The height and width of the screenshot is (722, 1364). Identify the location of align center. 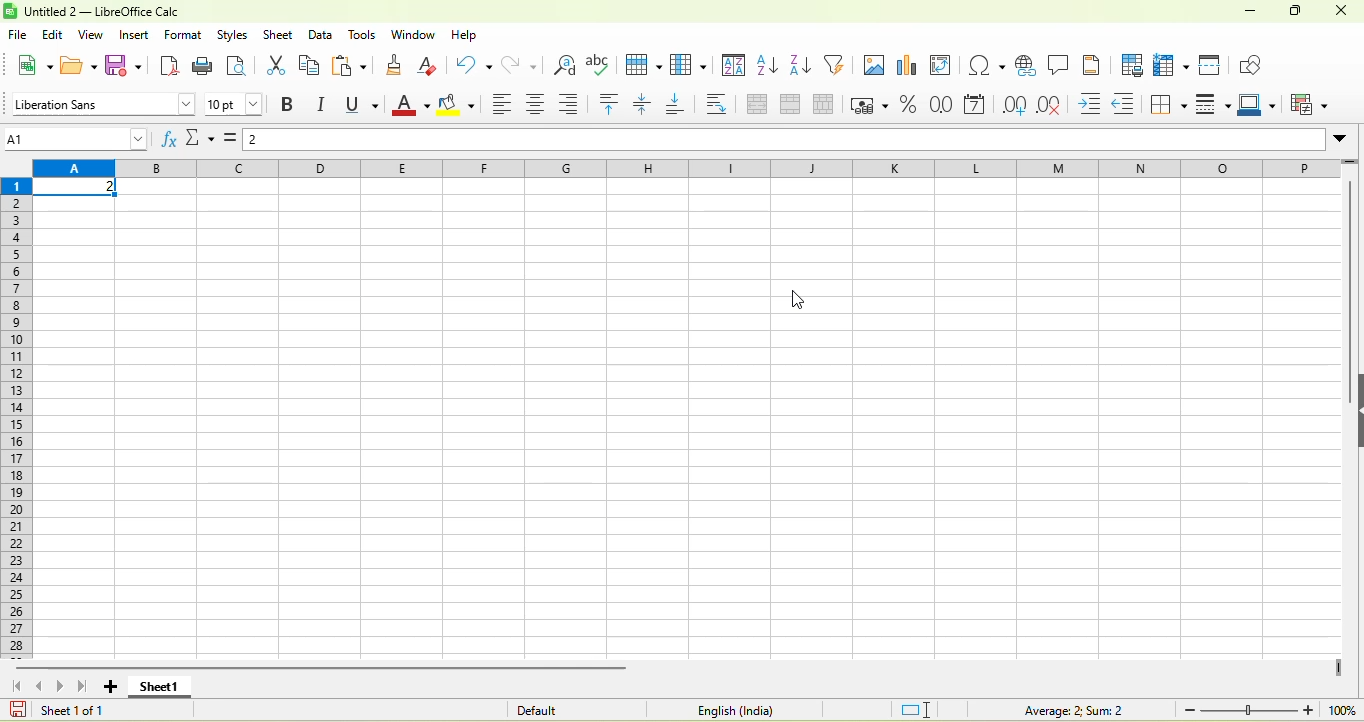
(543, 106).